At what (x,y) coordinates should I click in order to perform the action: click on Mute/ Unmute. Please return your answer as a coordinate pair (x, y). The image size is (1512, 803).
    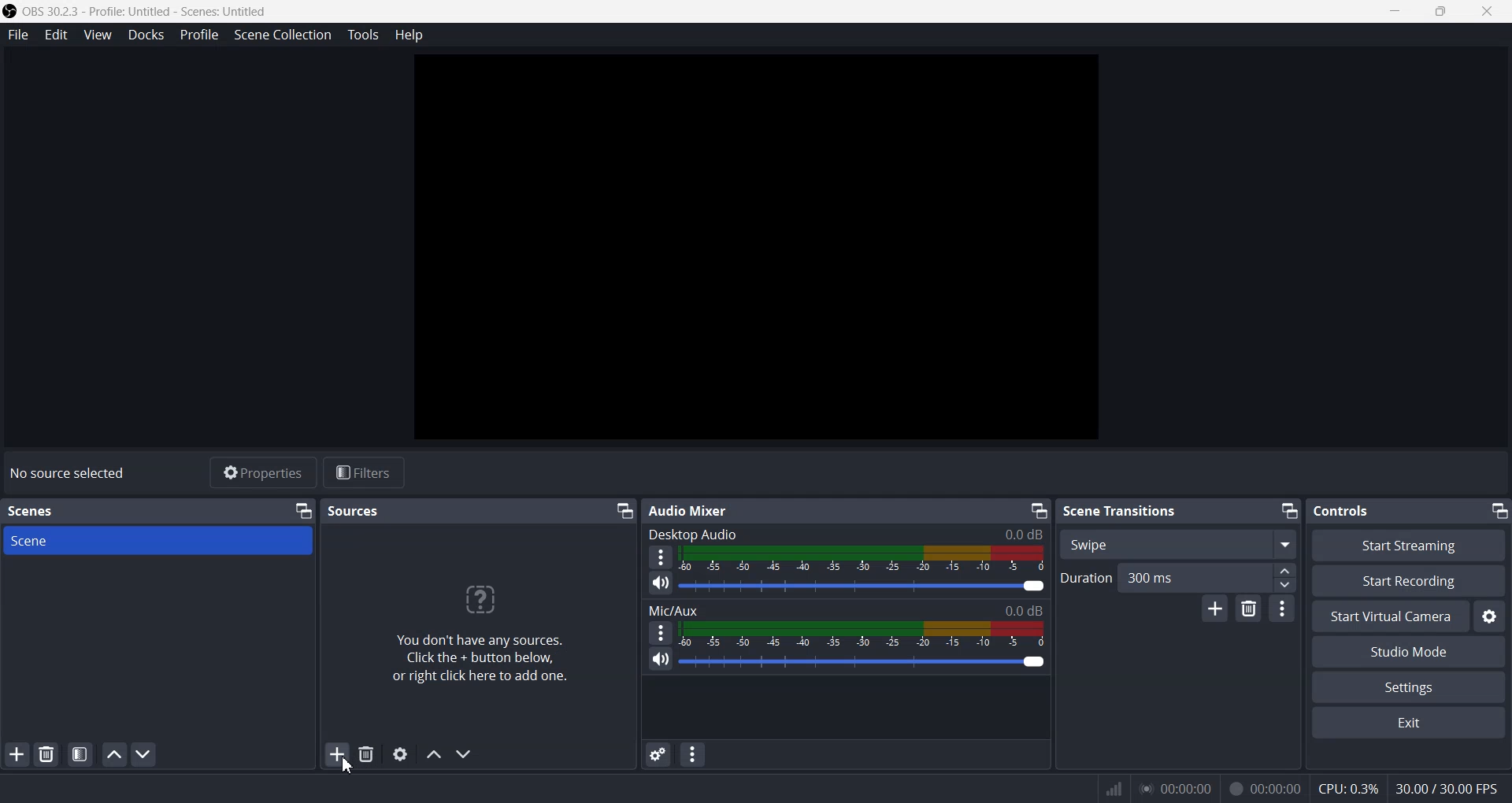
    Looking at the image, I should click on (661, 584).